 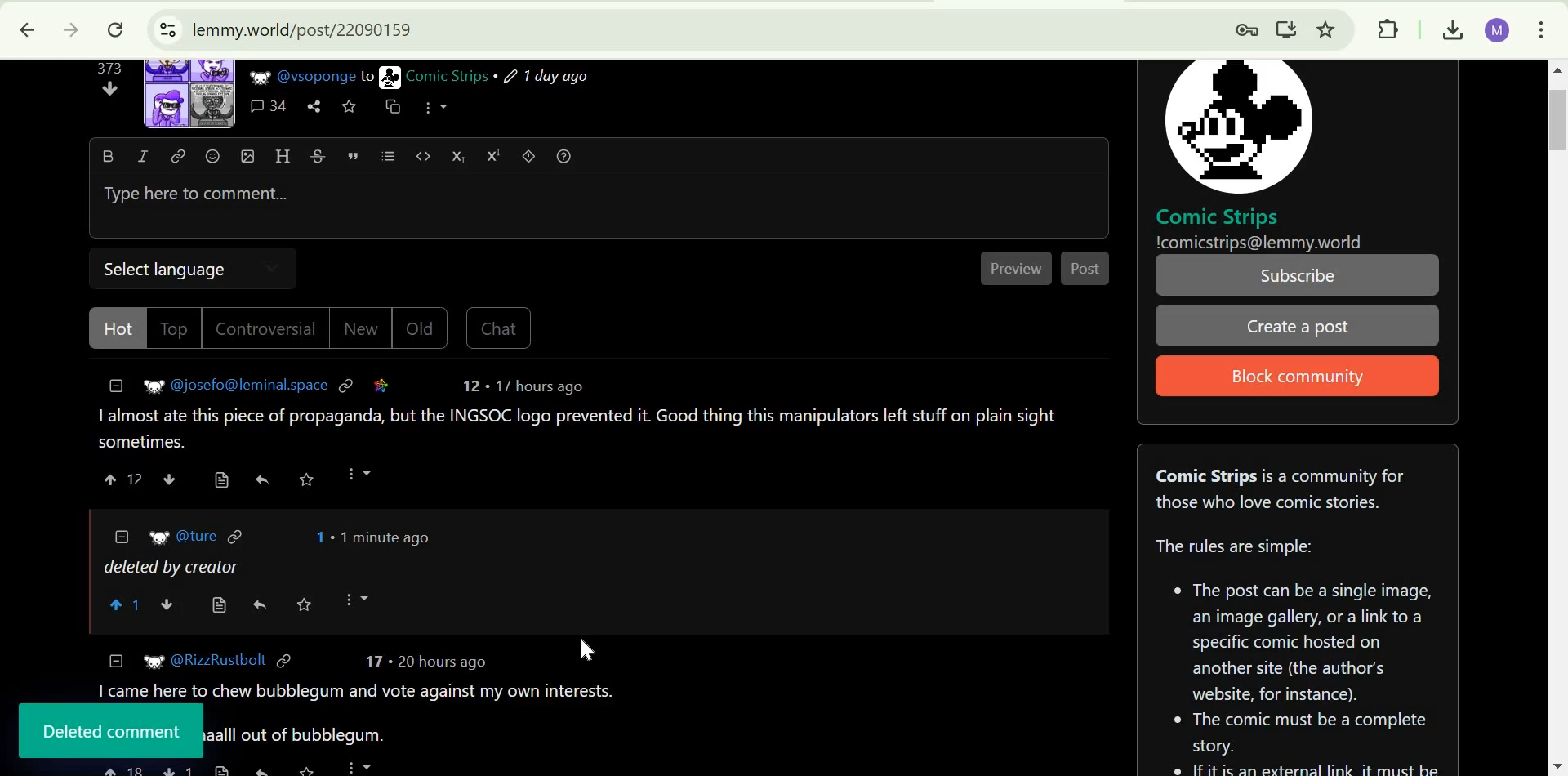 I want to click on Subscribe, so click(x=1299, y=275).